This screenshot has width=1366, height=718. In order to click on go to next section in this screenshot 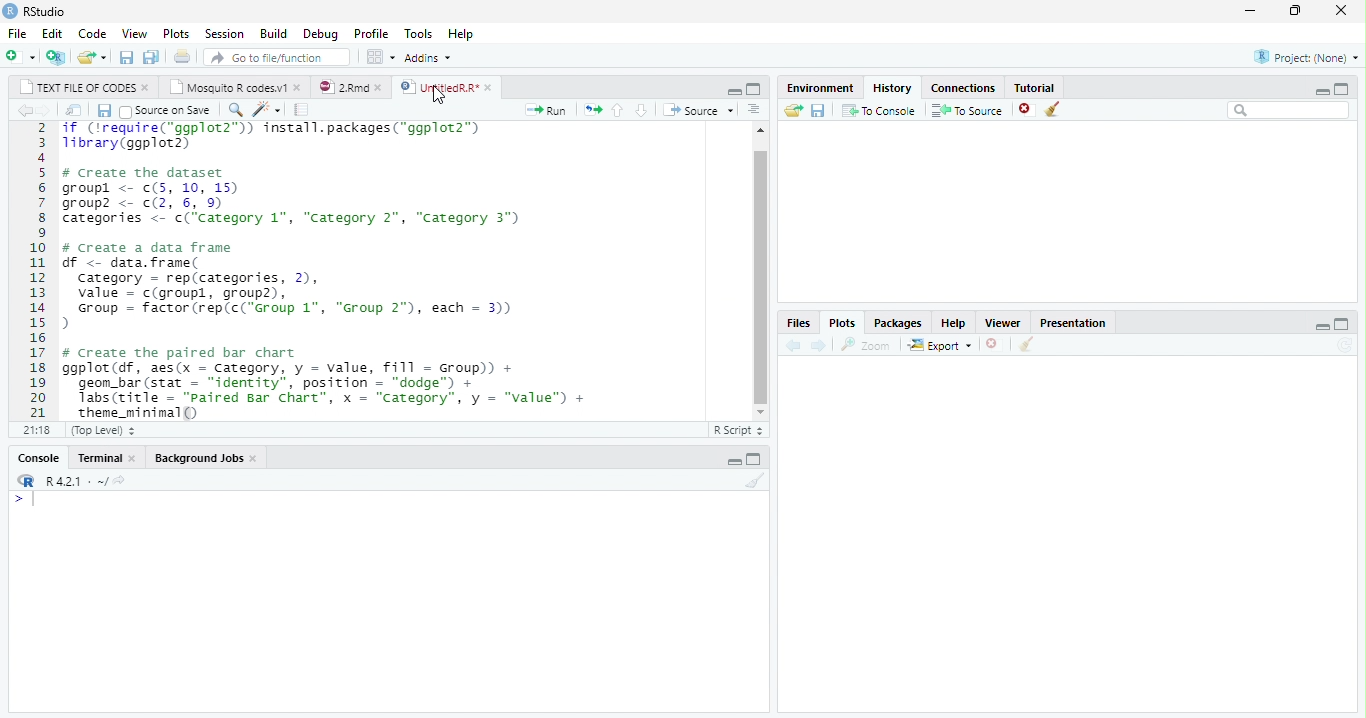, I will do `click(753, 110)`.